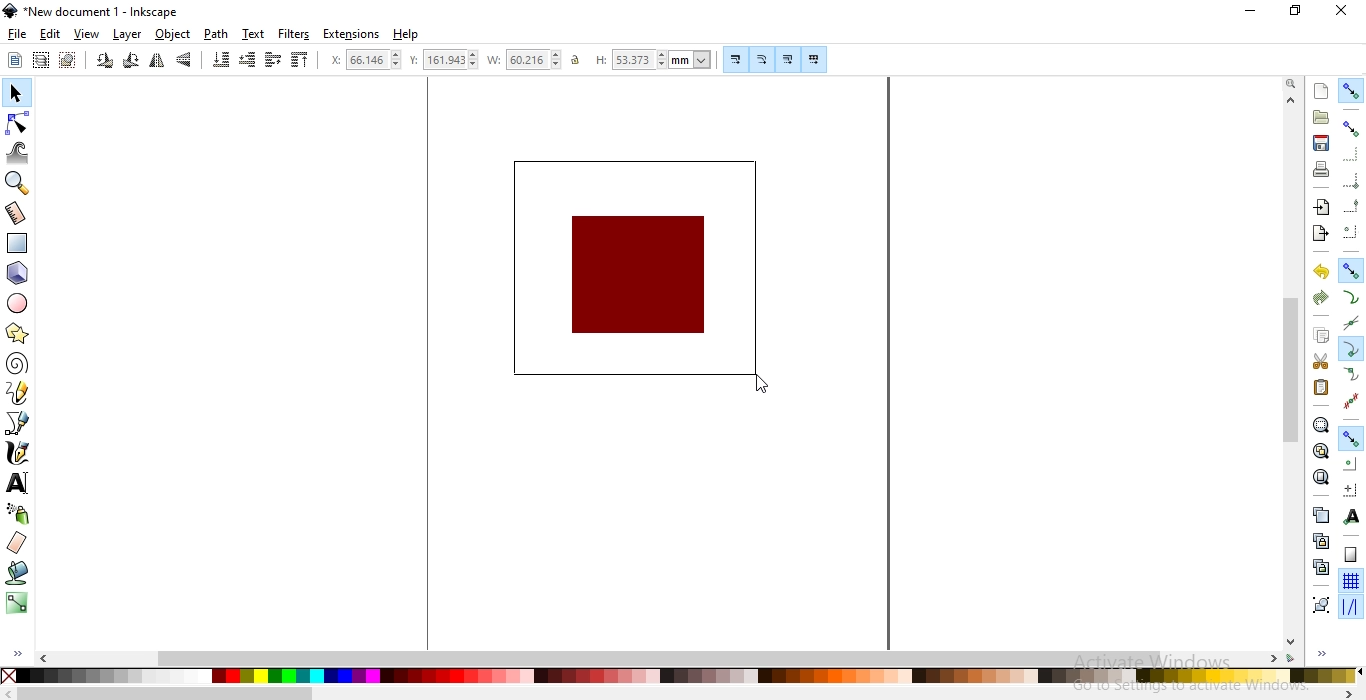 The image size is (1366, 700). What do you see at coordinates (638, 268) in the screenshot?
I see `image` at bounding box center [638, 268].